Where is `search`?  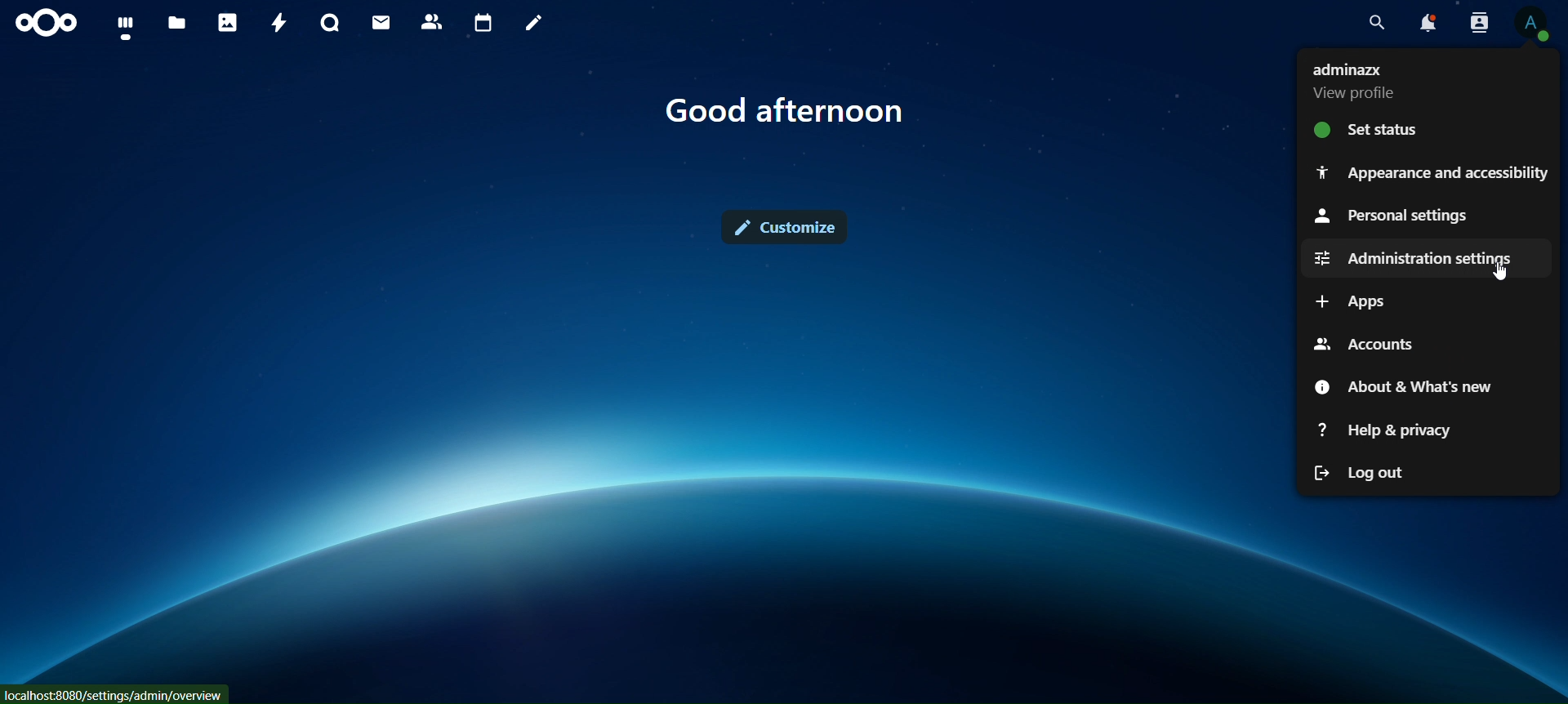
search is located at coordinates (1379, 23).